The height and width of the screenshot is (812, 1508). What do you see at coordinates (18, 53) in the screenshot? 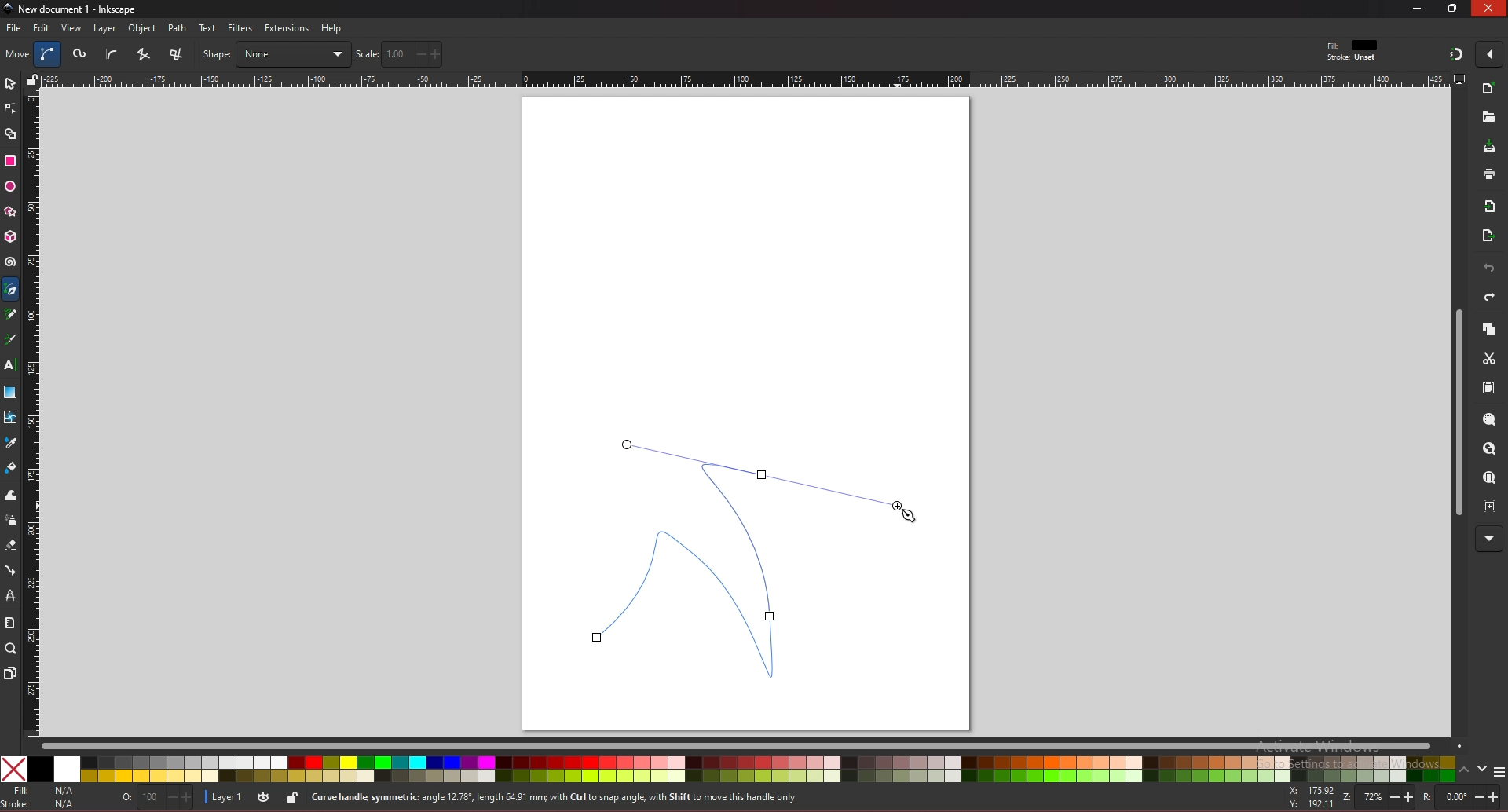
I see `move` at bounding box center [18, 53].